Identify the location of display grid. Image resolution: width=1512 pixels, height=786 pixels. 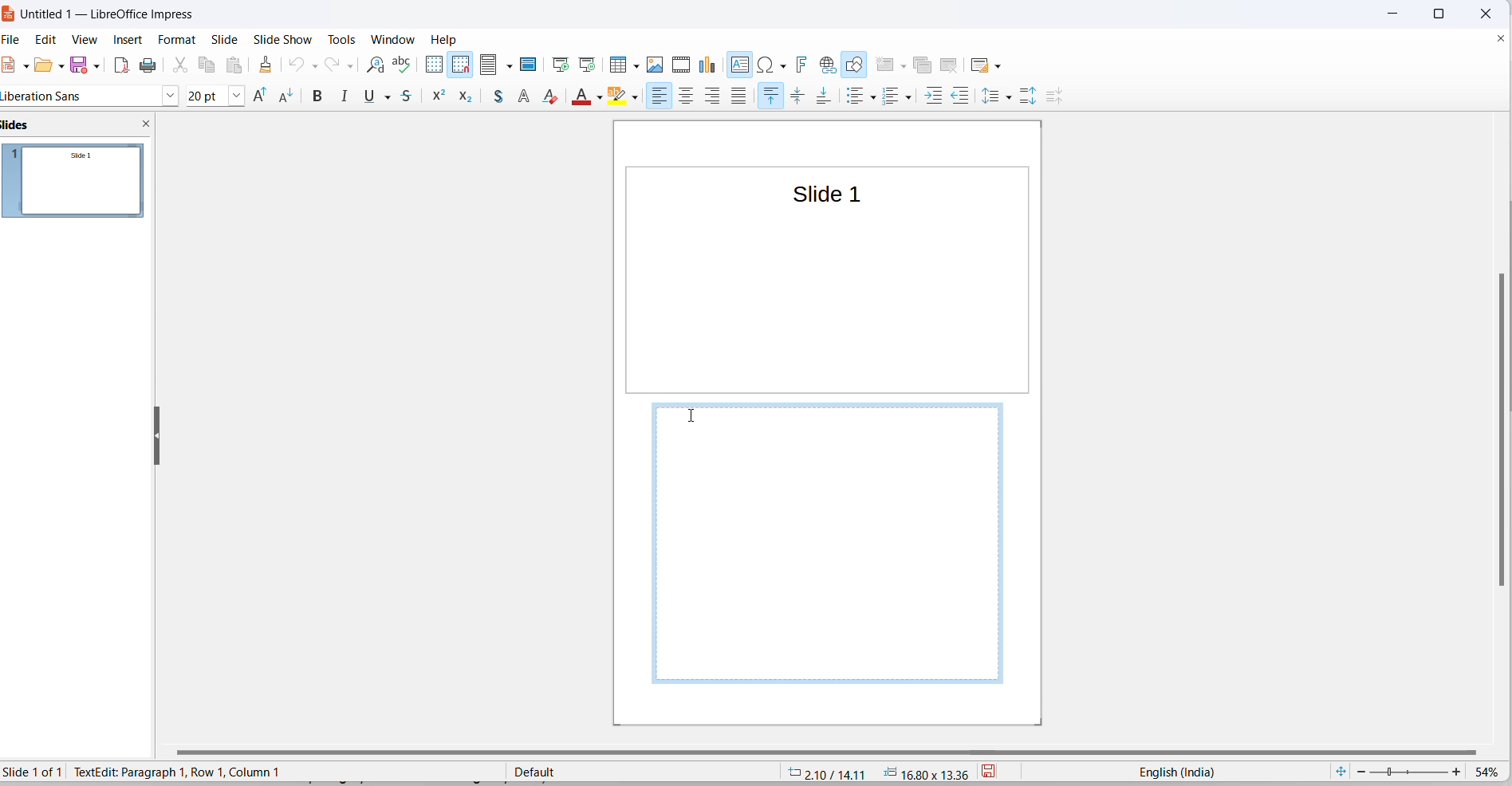
(435, 64).